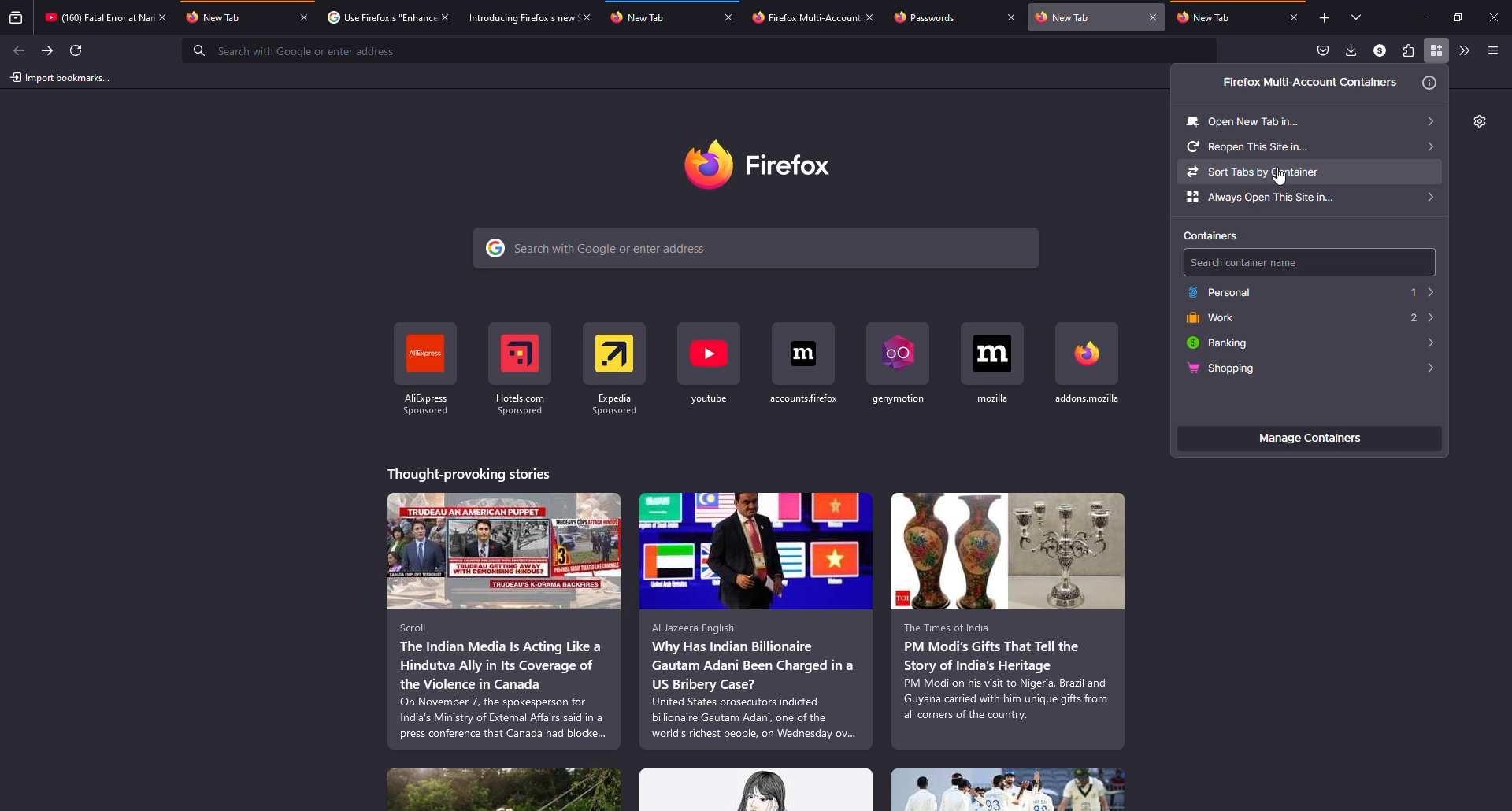  Describe the element at coordinates (1310, 198) in the screenshot. I see `always open this site in` at that location.